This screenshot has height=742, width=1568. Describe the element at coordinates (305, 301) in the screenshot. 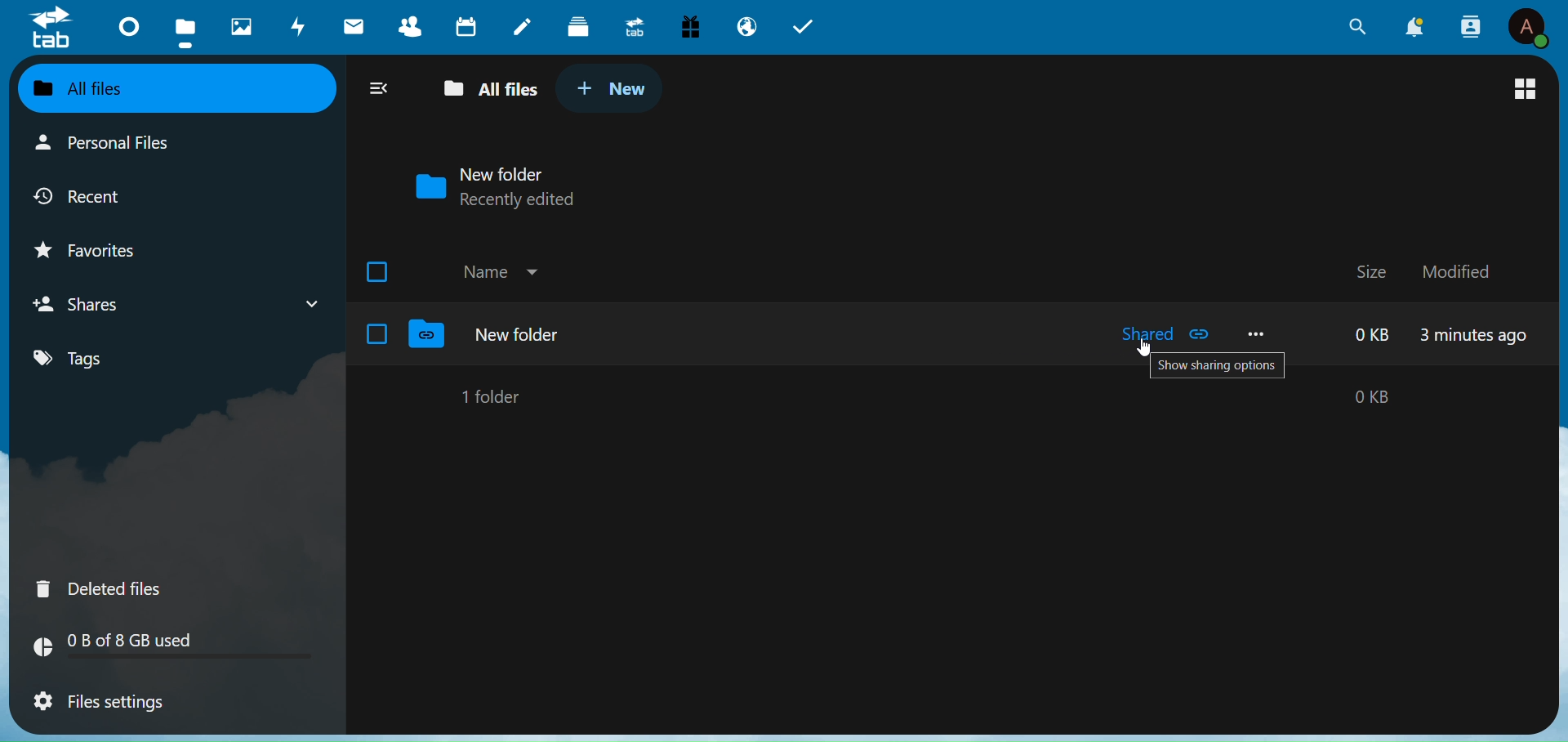

I see `Shares drop down` at that location.